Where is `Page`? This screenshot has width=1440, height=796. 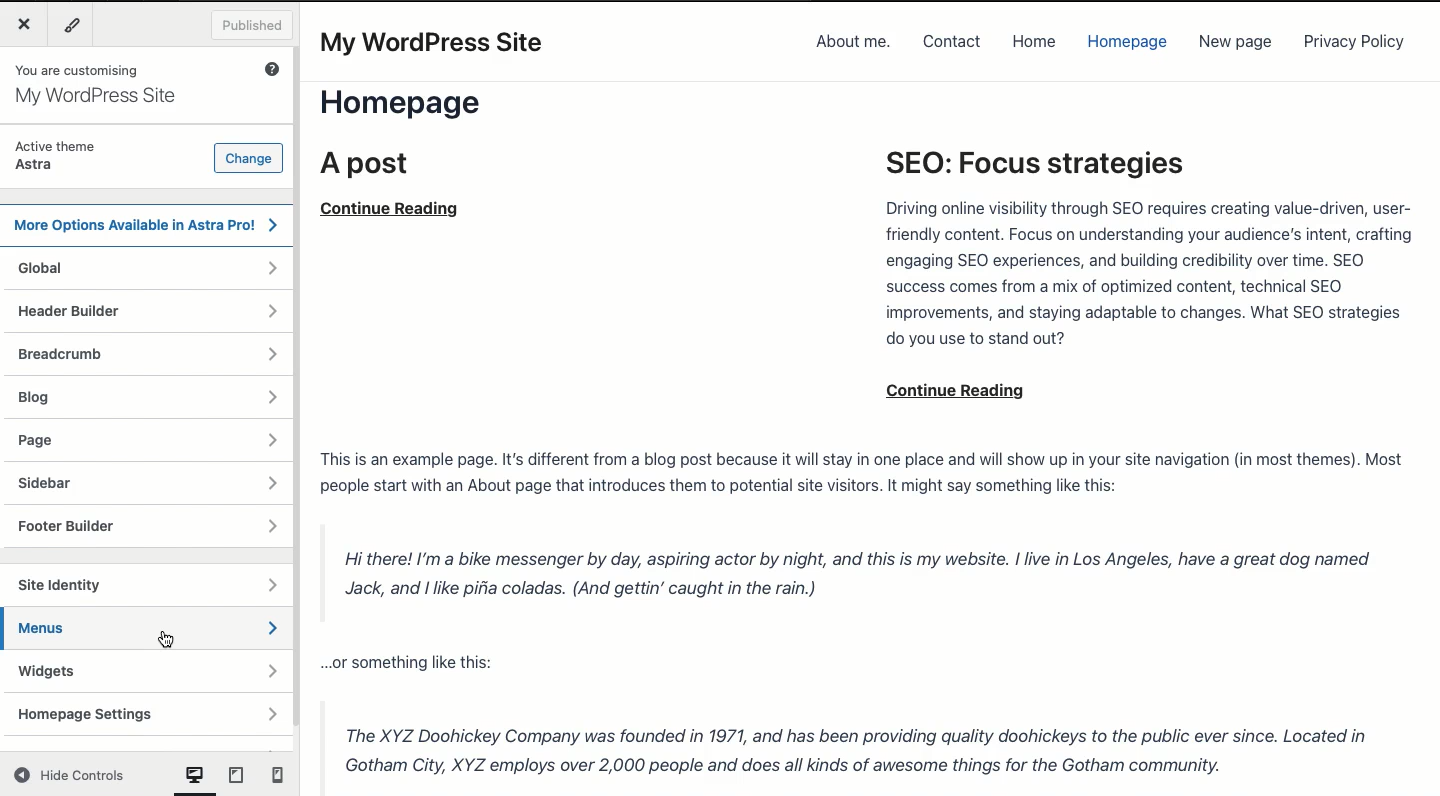
Page is located at coordinates (147, 439).